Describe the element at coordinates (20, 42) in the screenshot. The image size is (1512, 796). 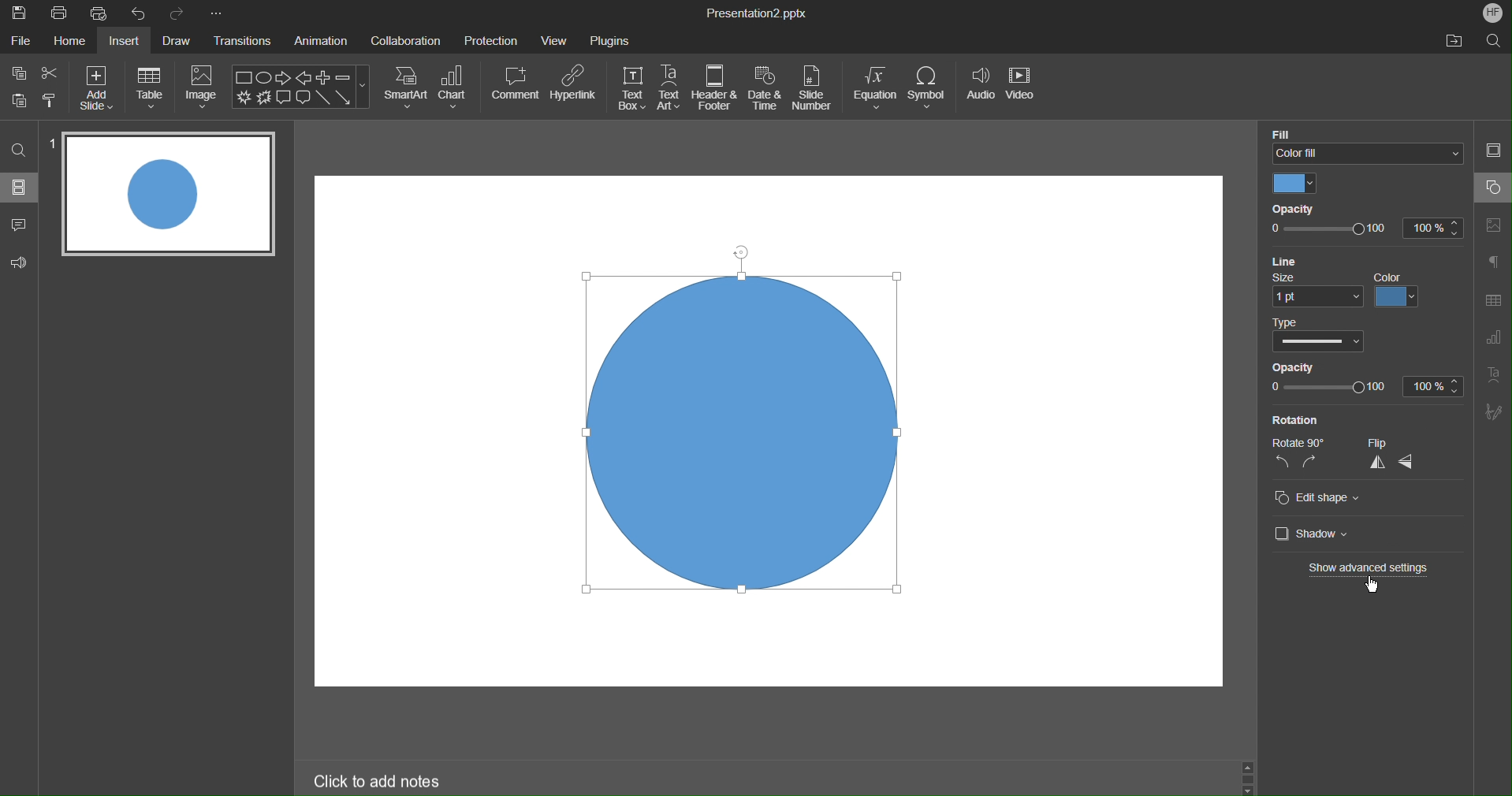
I see `File` at that location.